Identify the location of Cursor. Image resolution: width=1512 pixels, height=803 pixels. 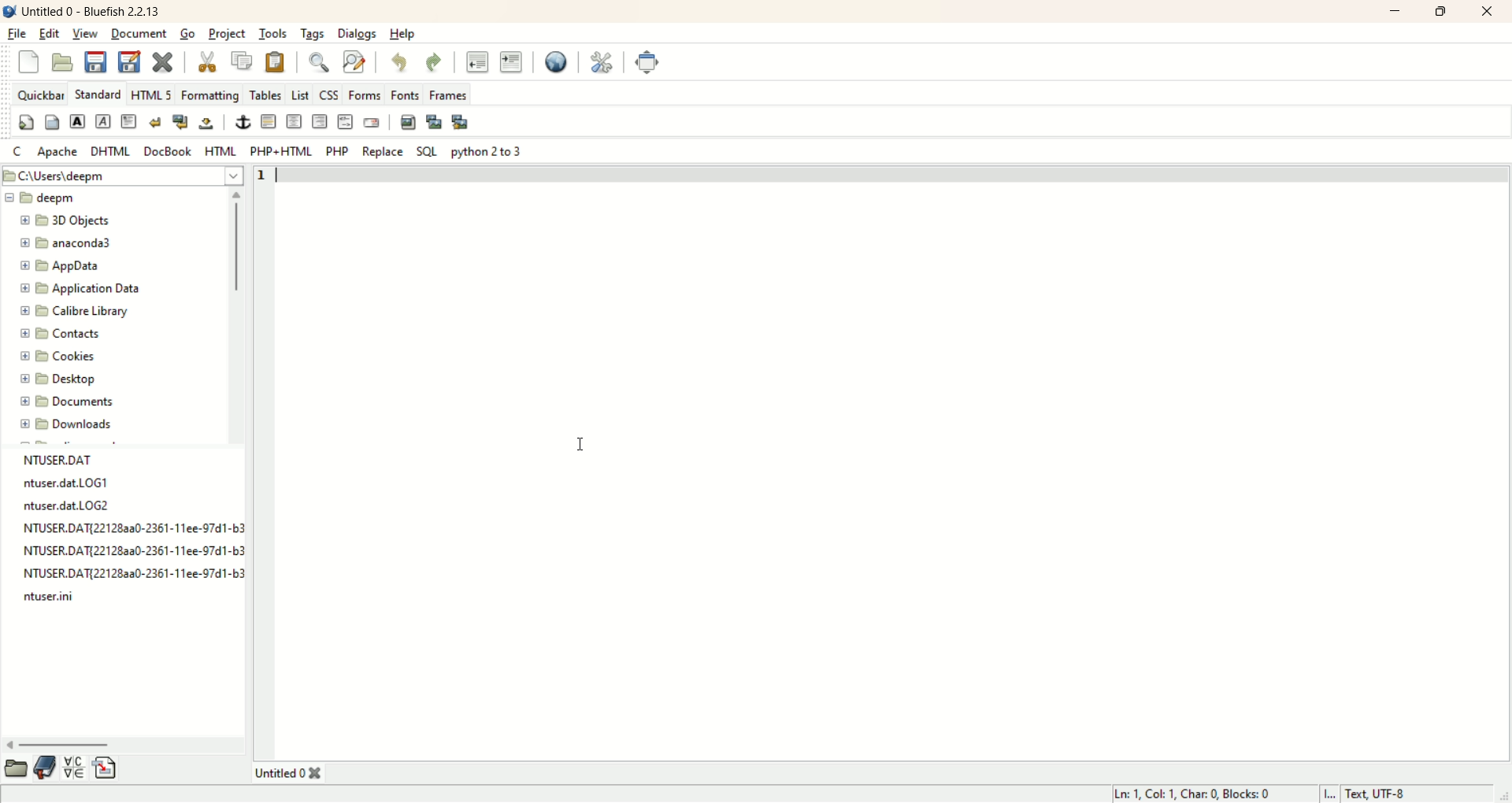
(583, 442).